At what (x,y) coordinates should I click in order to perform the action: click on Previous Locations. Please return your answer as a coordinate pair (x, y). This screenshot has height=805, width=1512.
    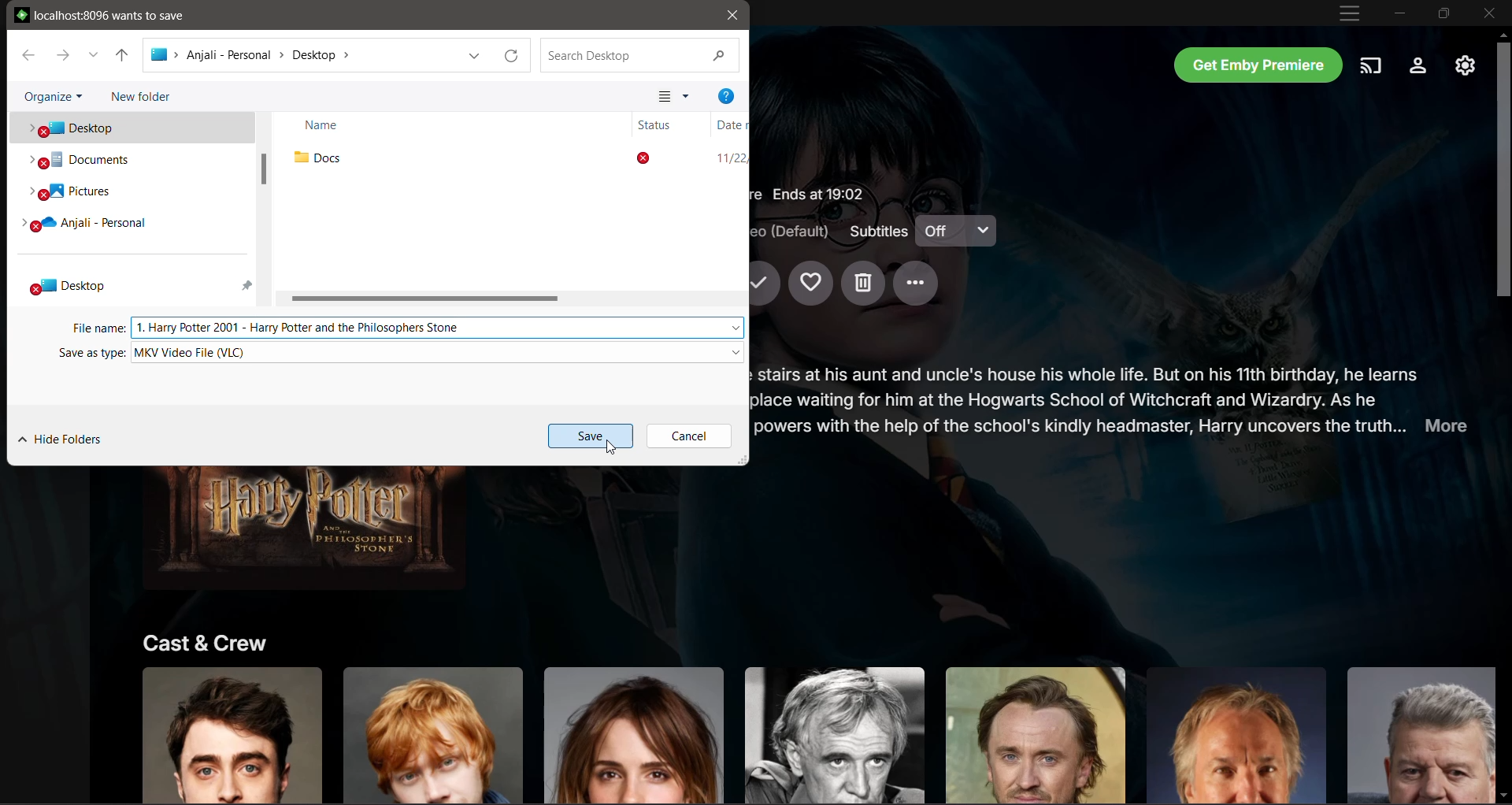
    Looking at the image, I should click on (476, 56).